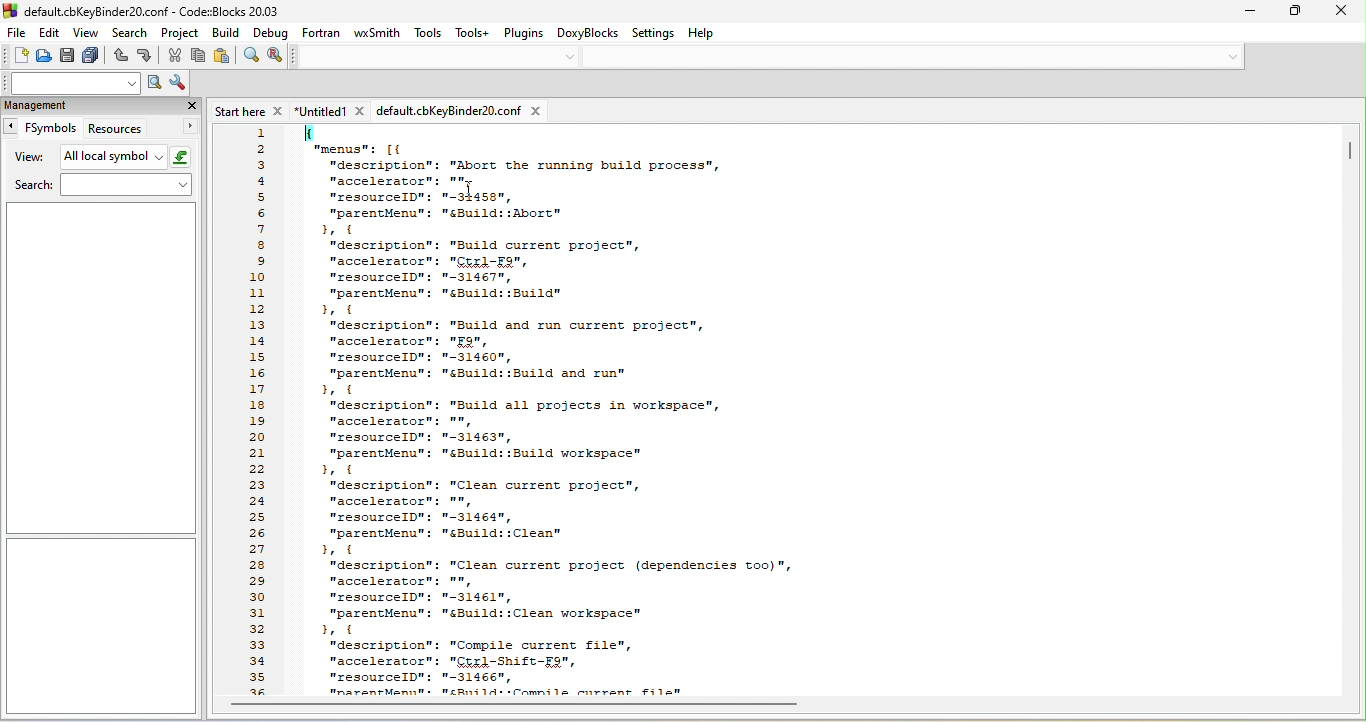 This screenshot has height=722, width=1366. What do you see at coordinates (1243, 13) in the screenshot?
I see `minimize` at bounding box center [1243, 13].